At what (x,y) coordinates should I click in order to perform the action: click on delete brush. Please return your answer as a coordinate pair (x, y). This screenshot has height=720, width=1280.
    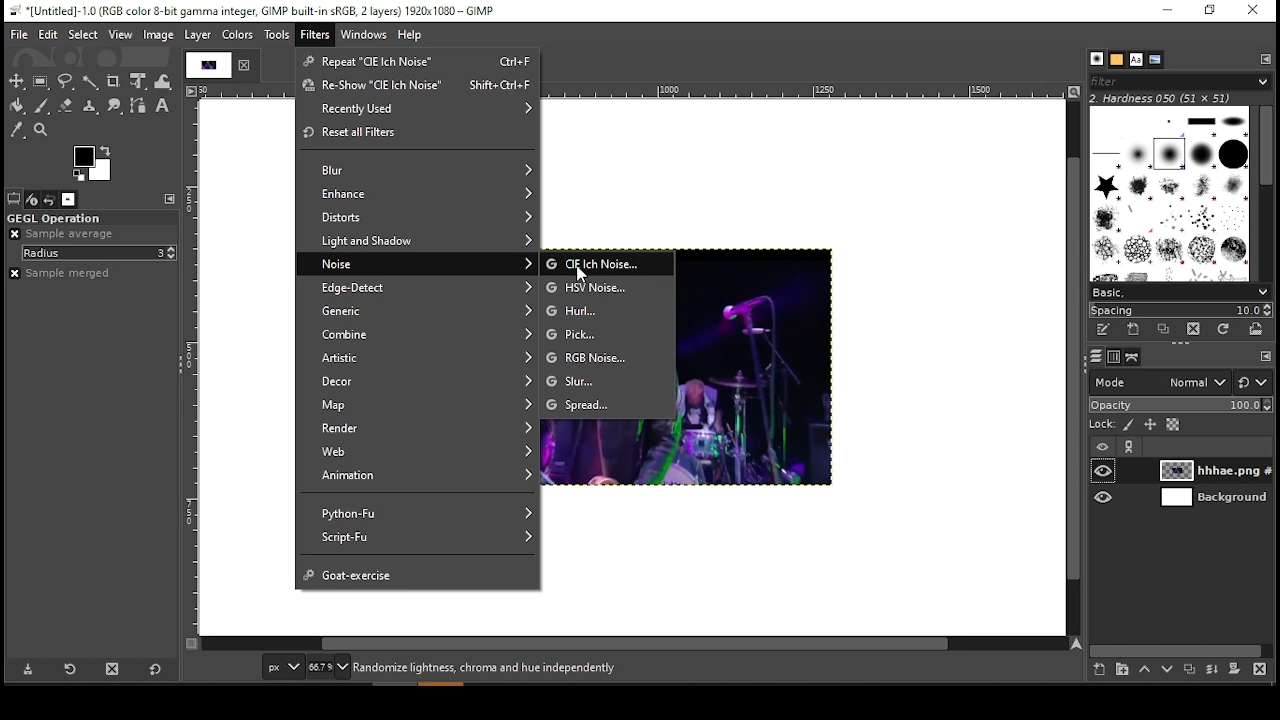
    Looking at the image, I should click on (1197, 330).